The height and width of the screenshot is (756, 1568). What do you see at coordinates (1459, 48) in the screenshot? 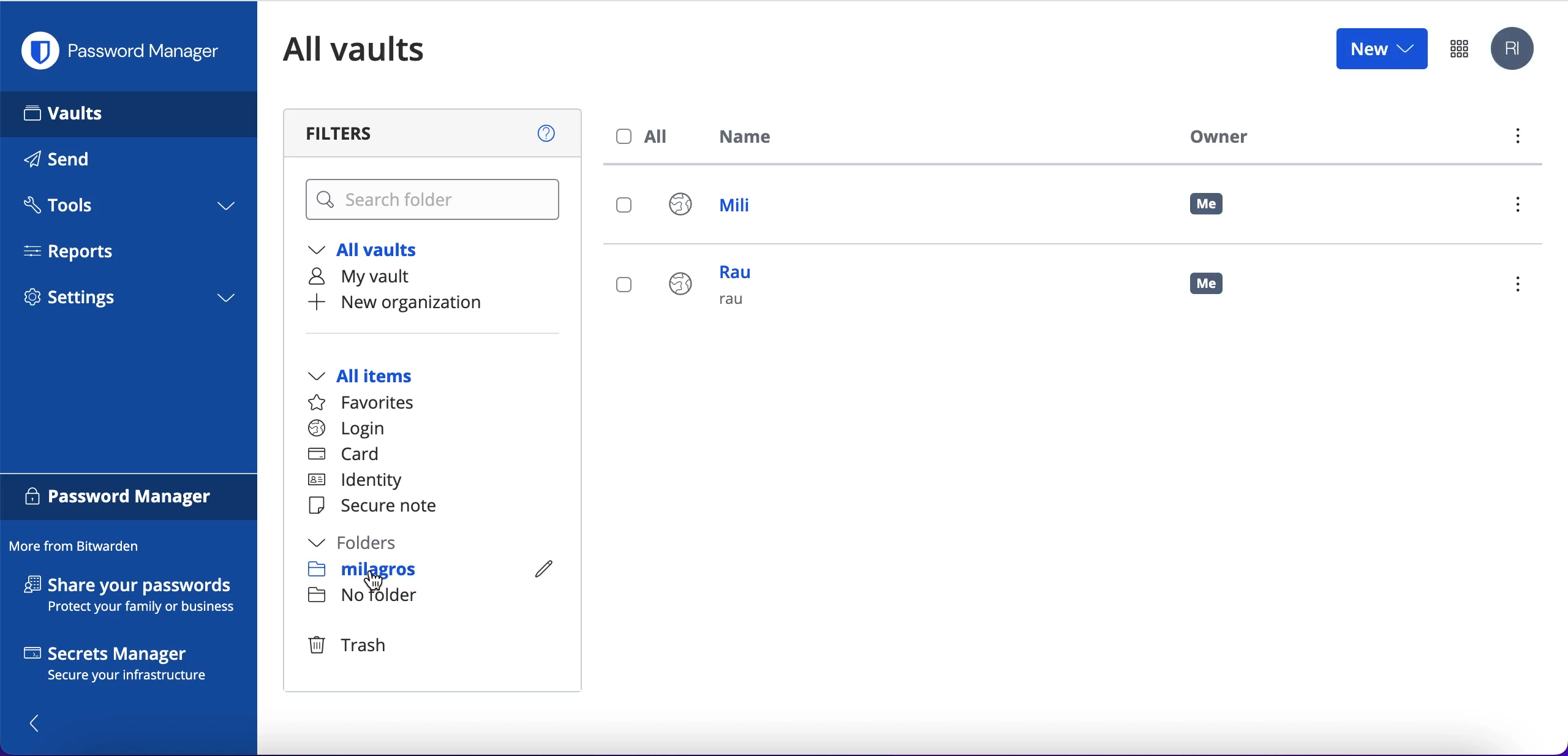
I see `password manager` at bounding box center [1459, 48].